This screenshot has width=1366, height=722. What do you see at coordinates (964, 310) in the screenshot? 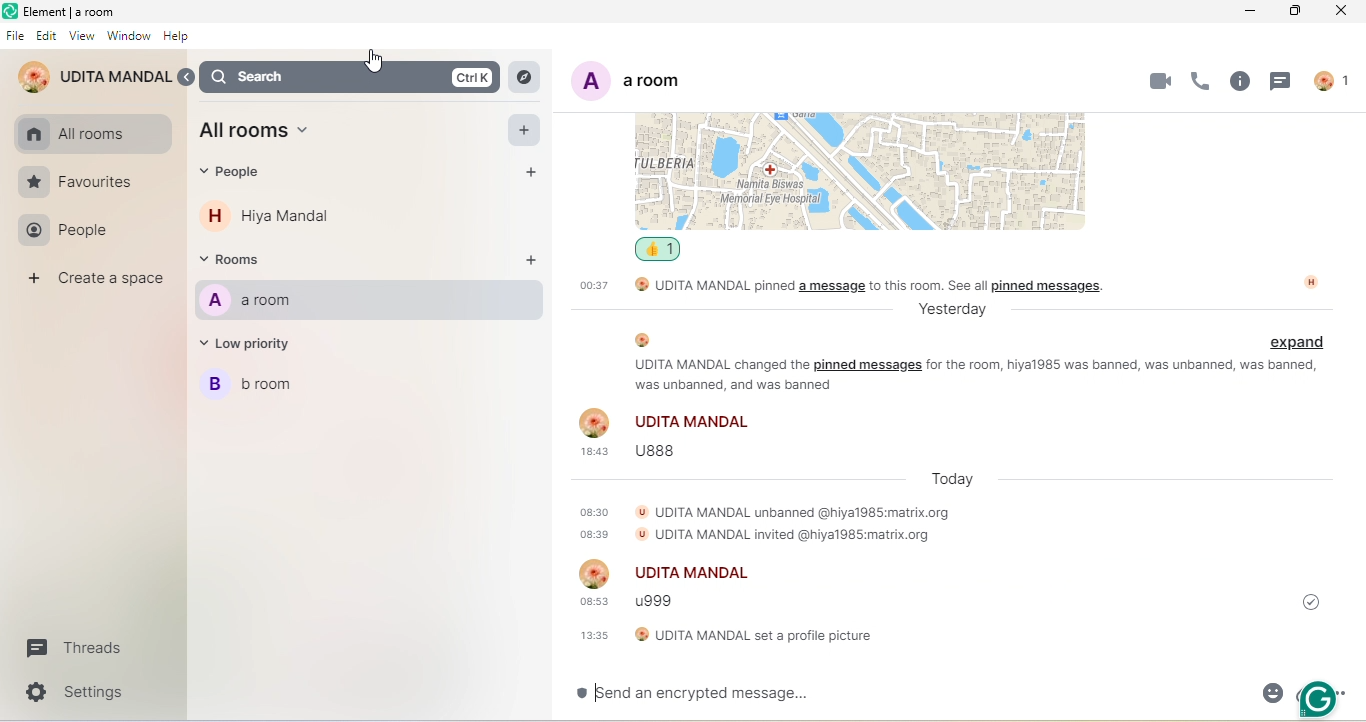
I see `Yesterday` at bounding box center [964, 310].